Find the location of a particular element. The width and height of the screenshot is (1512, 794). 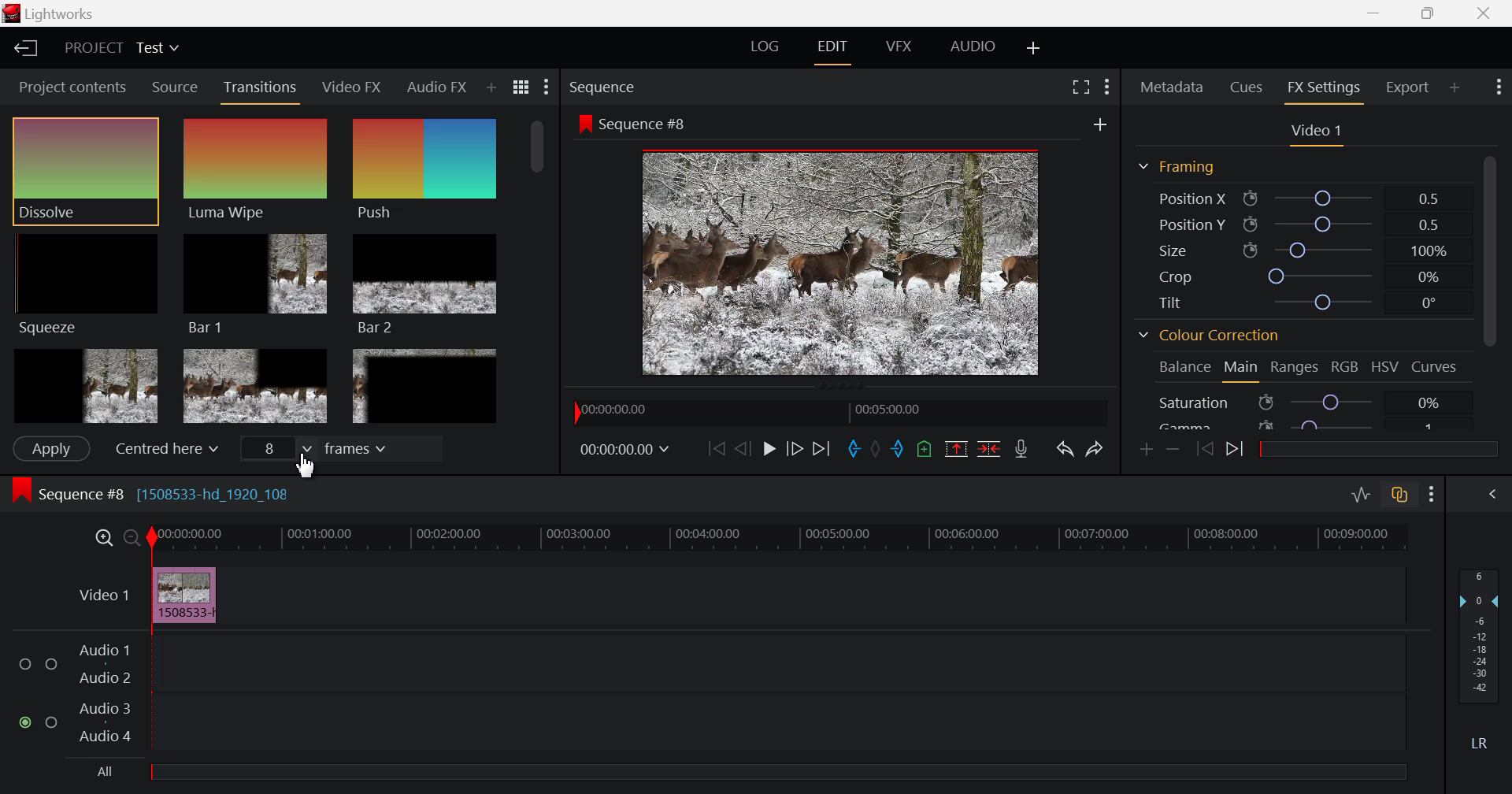

RGB is located at coordinates (1347, 369).